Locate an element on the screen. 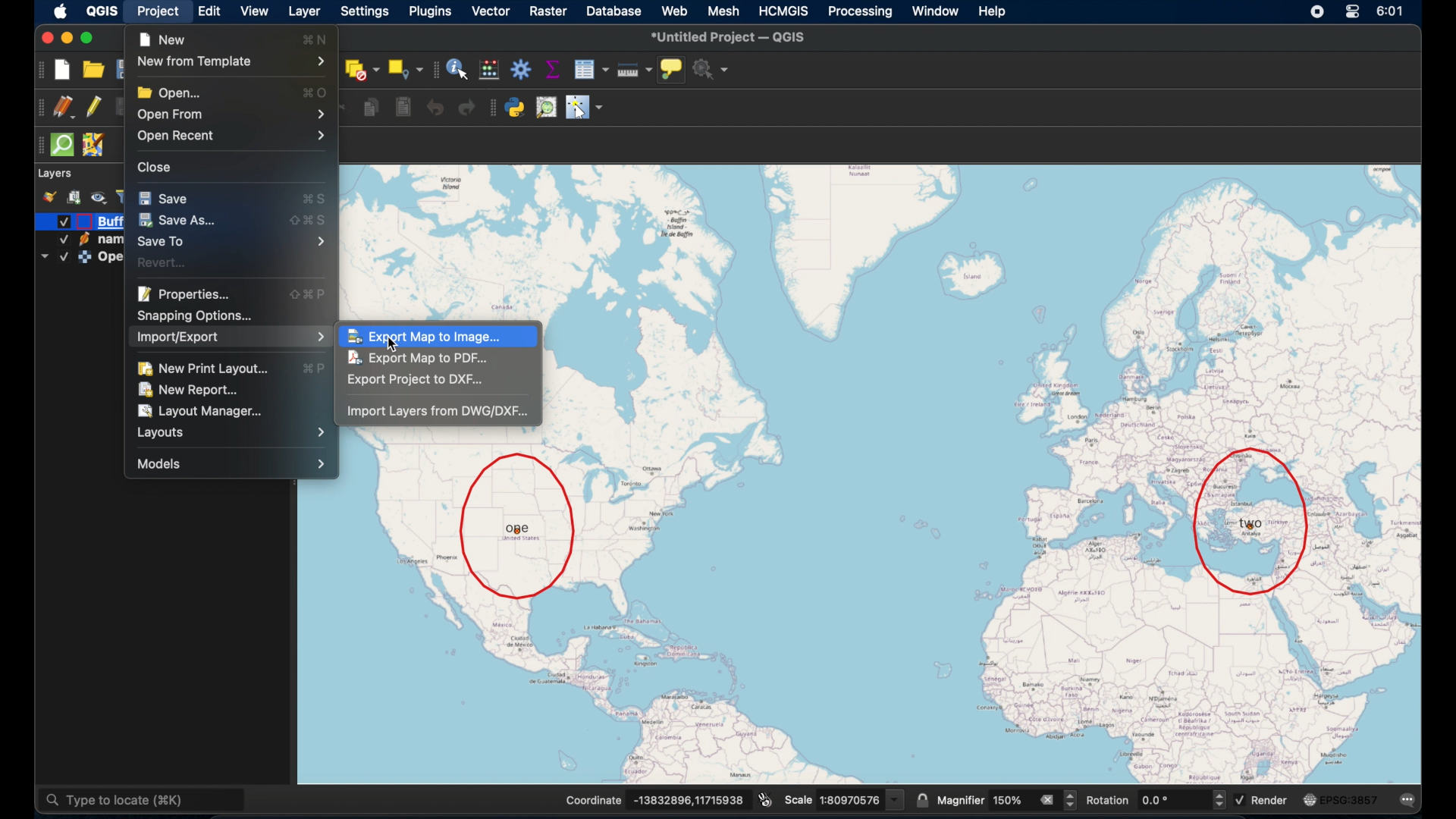  Checked checkbox is located at coordinates (1241, 800).